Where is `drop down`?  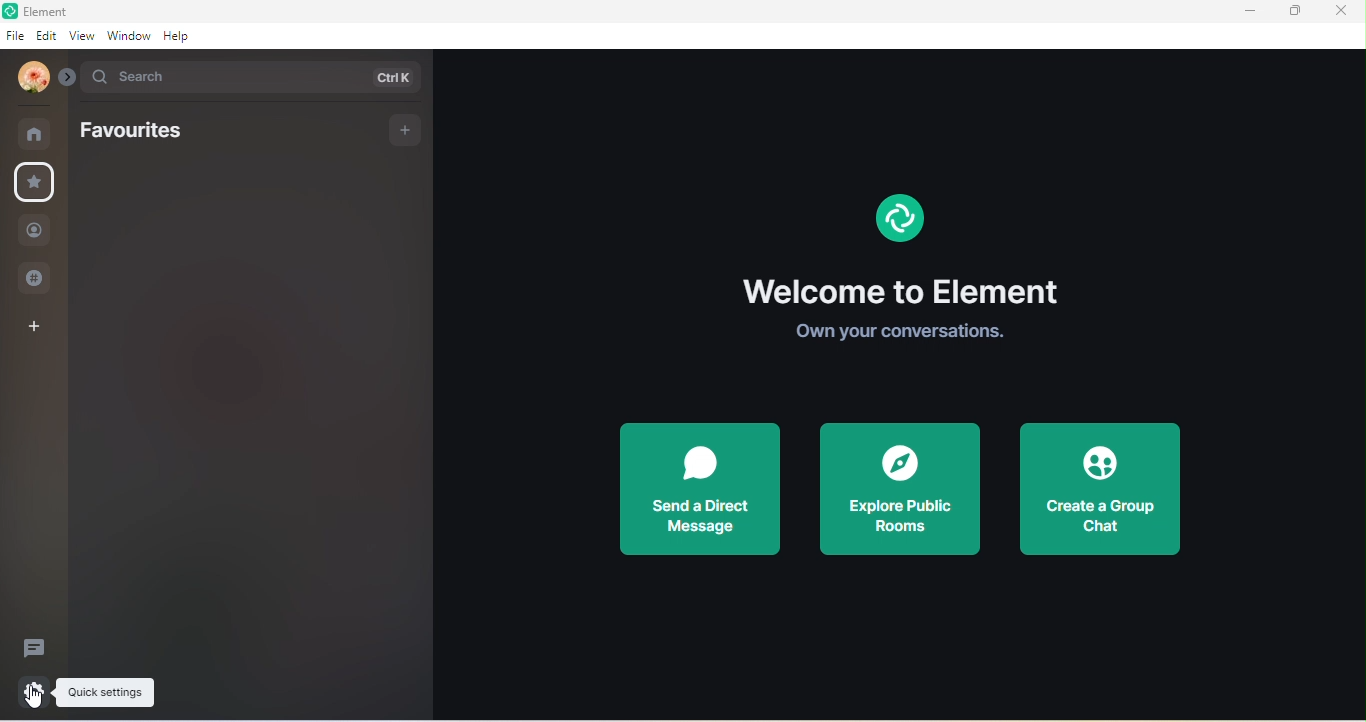
drop down is located at coordinates (70, 75).